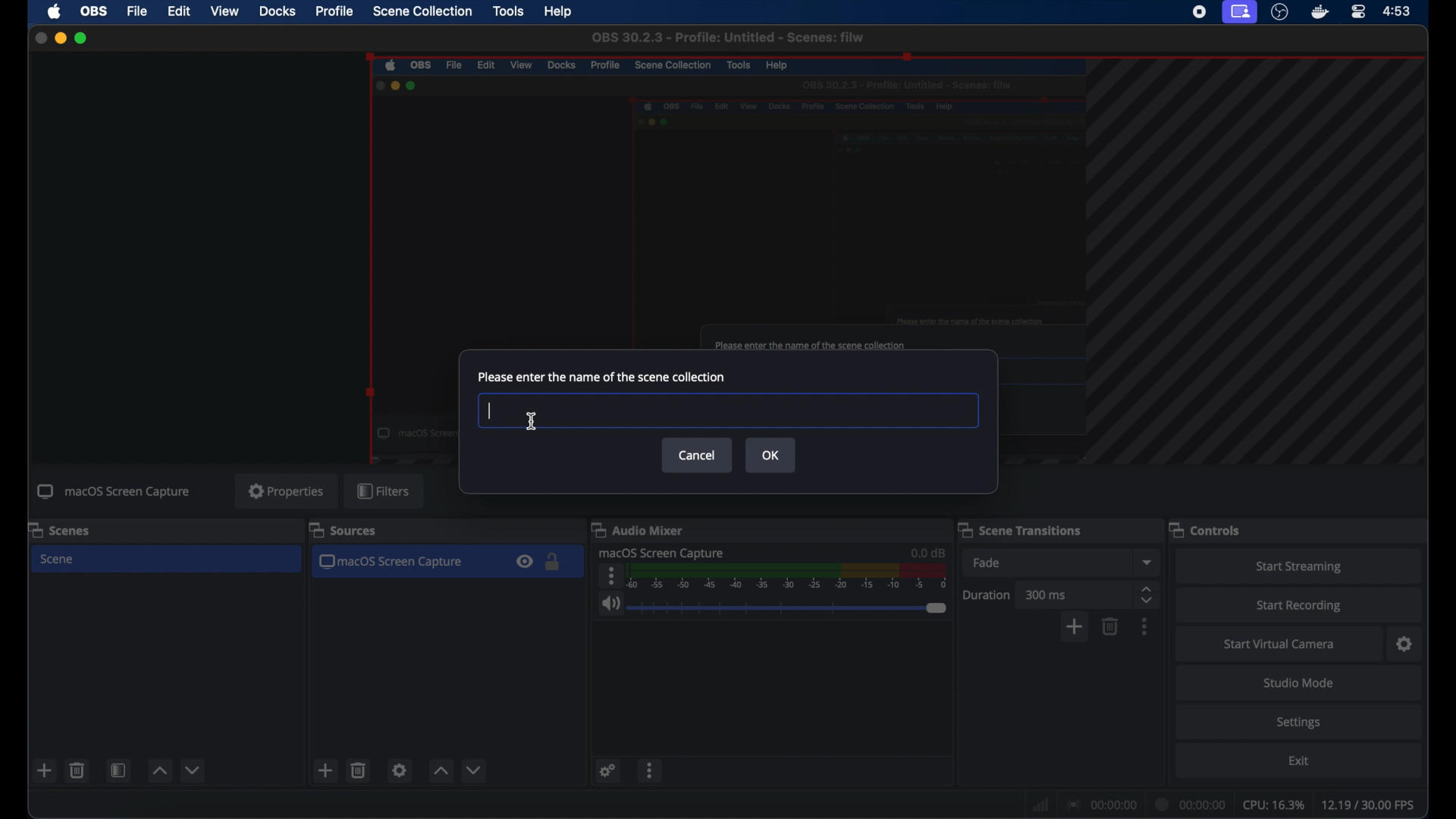 Image resolution: width=1456 pixels, height=819 pixels. What do you see at coordinates (1318, 12) in the screenshot?
I see `docker` at bounding box center [1318, 12].